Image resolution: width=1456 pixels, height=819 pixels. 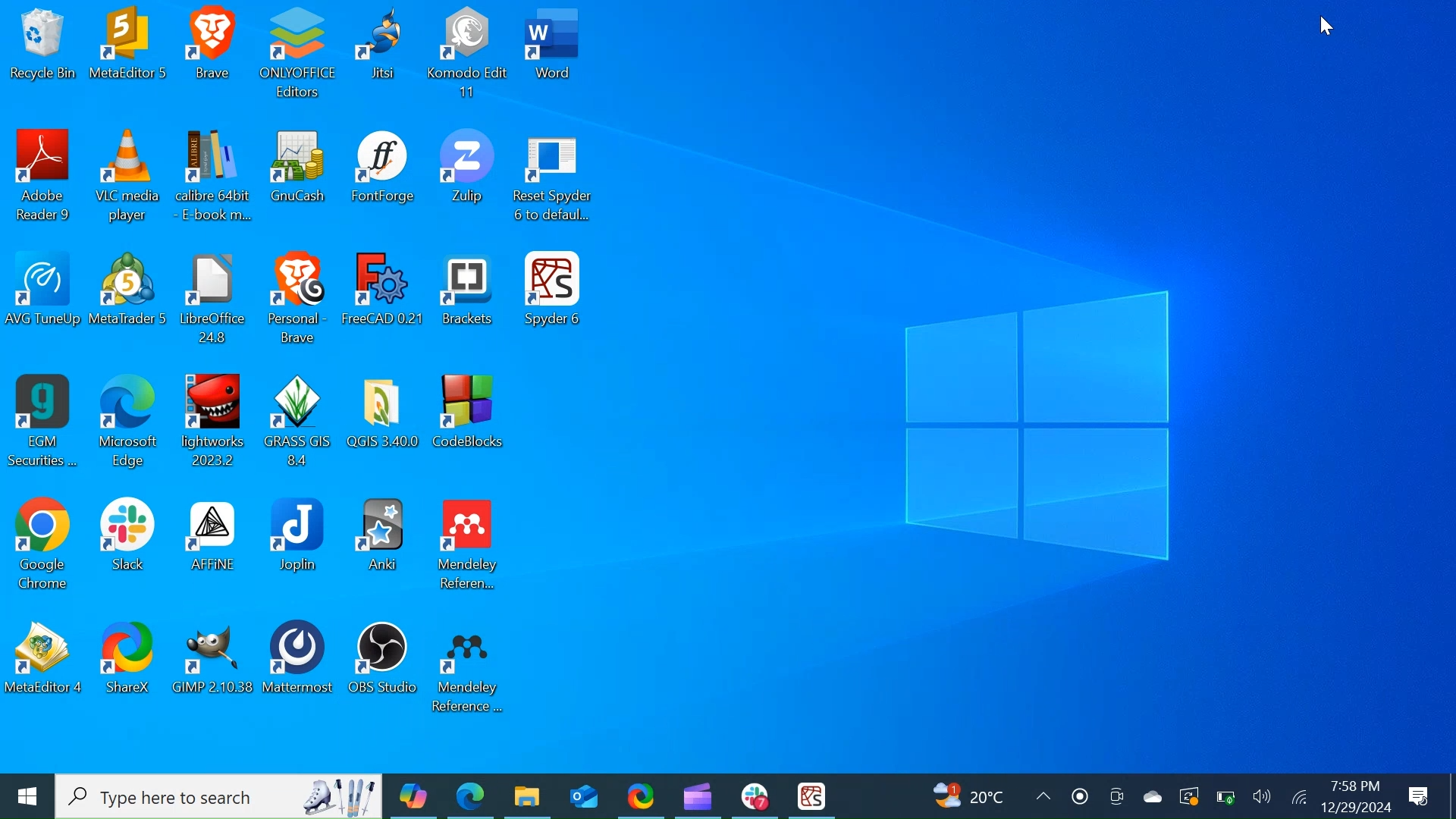 I want to click on Restart Update, so click(x=1187, y=796).